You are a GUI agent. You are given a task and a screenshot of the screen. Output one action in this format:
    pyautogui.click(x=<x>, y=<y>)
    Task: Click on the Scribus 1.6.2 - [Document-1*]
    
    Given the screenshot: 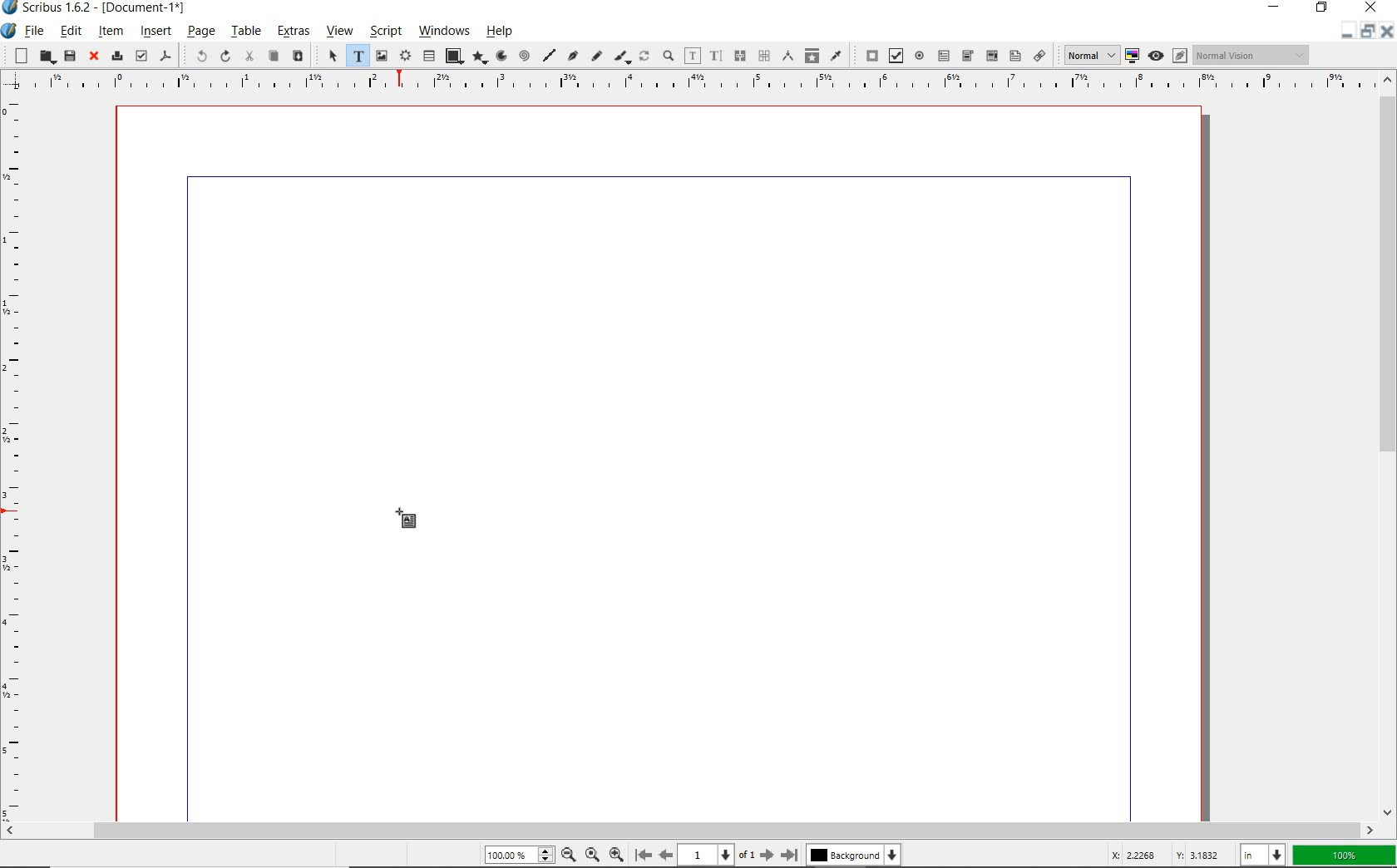 What is the action you would take?
    pyautogui.click(x=99, y=10)
    